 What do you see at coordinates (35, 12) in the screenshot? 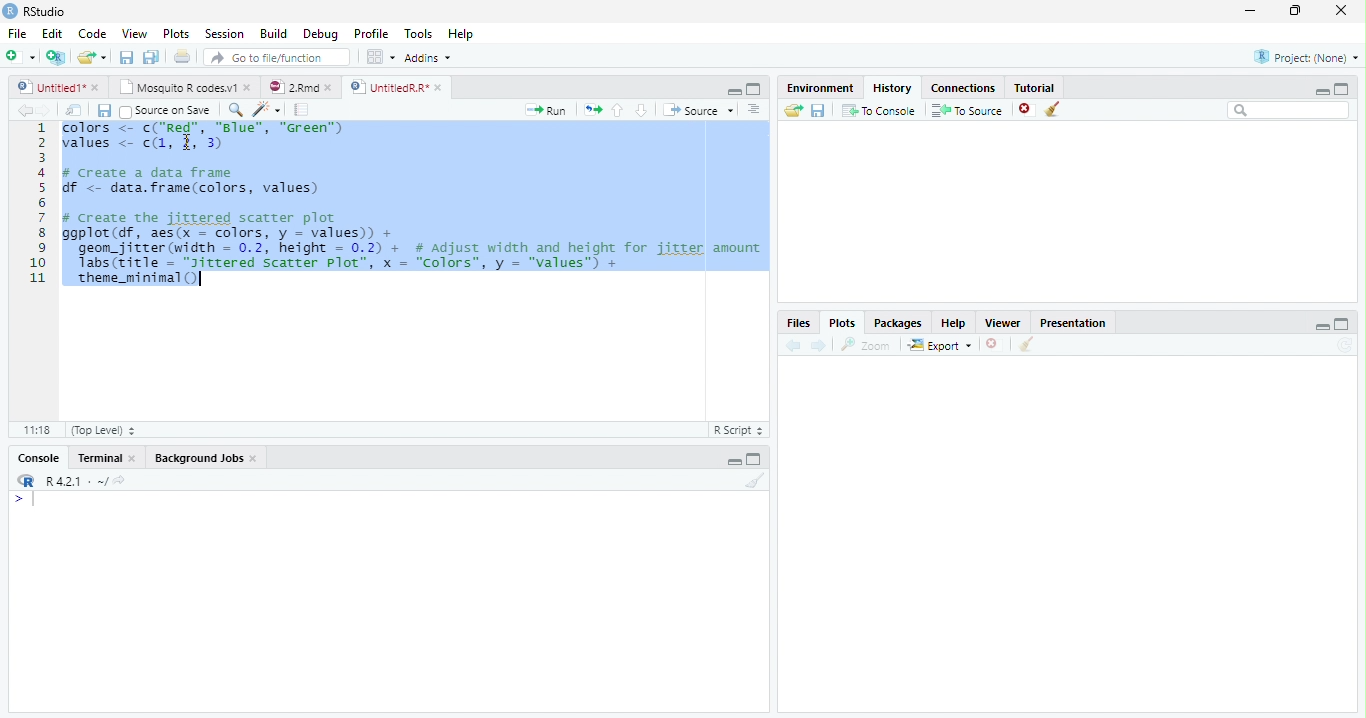
I see `RStudio` at bounding box center [35, 12].